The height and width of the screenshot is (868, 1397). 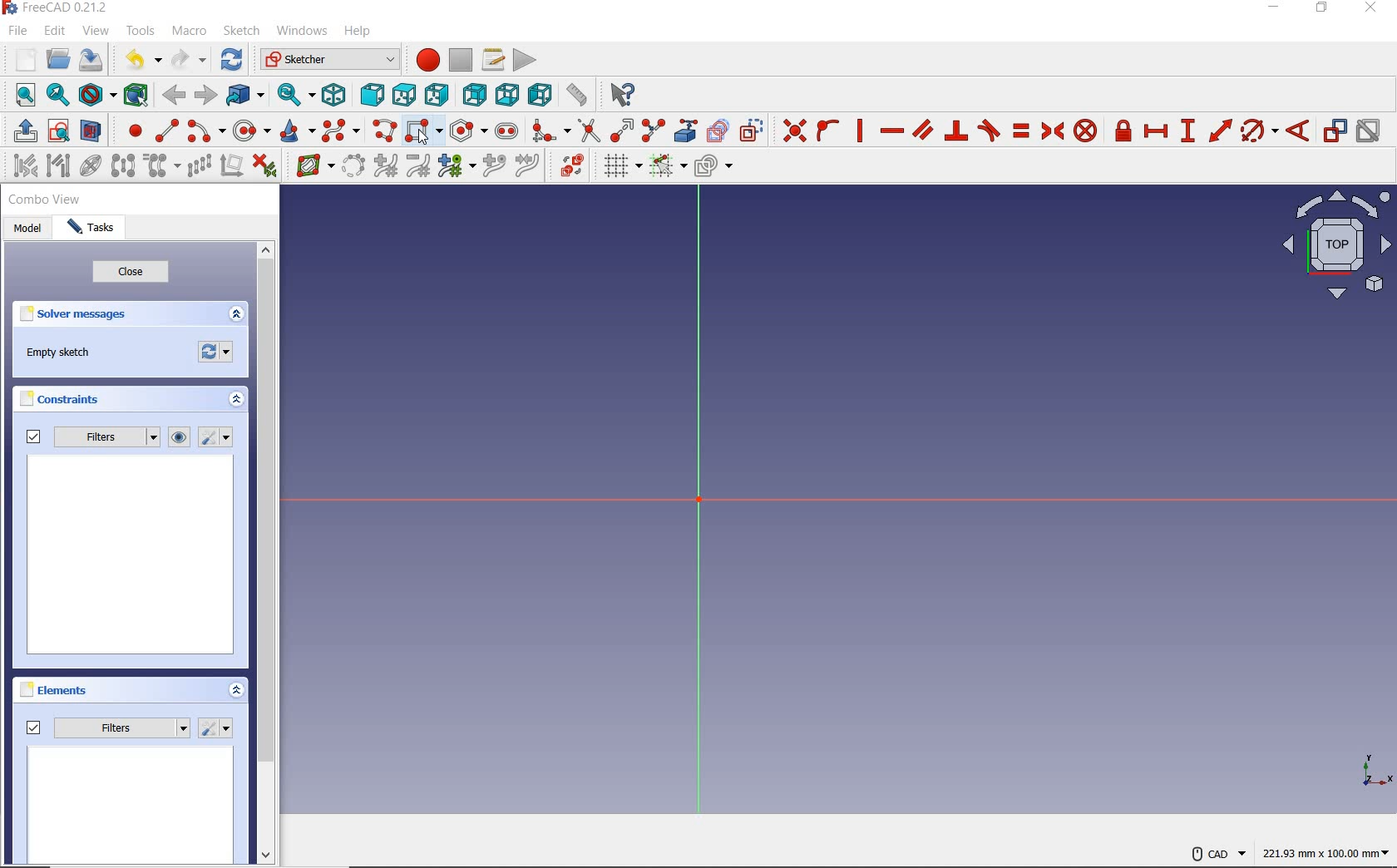 I want to click on select associated constraints, so click(x=21, y=167).